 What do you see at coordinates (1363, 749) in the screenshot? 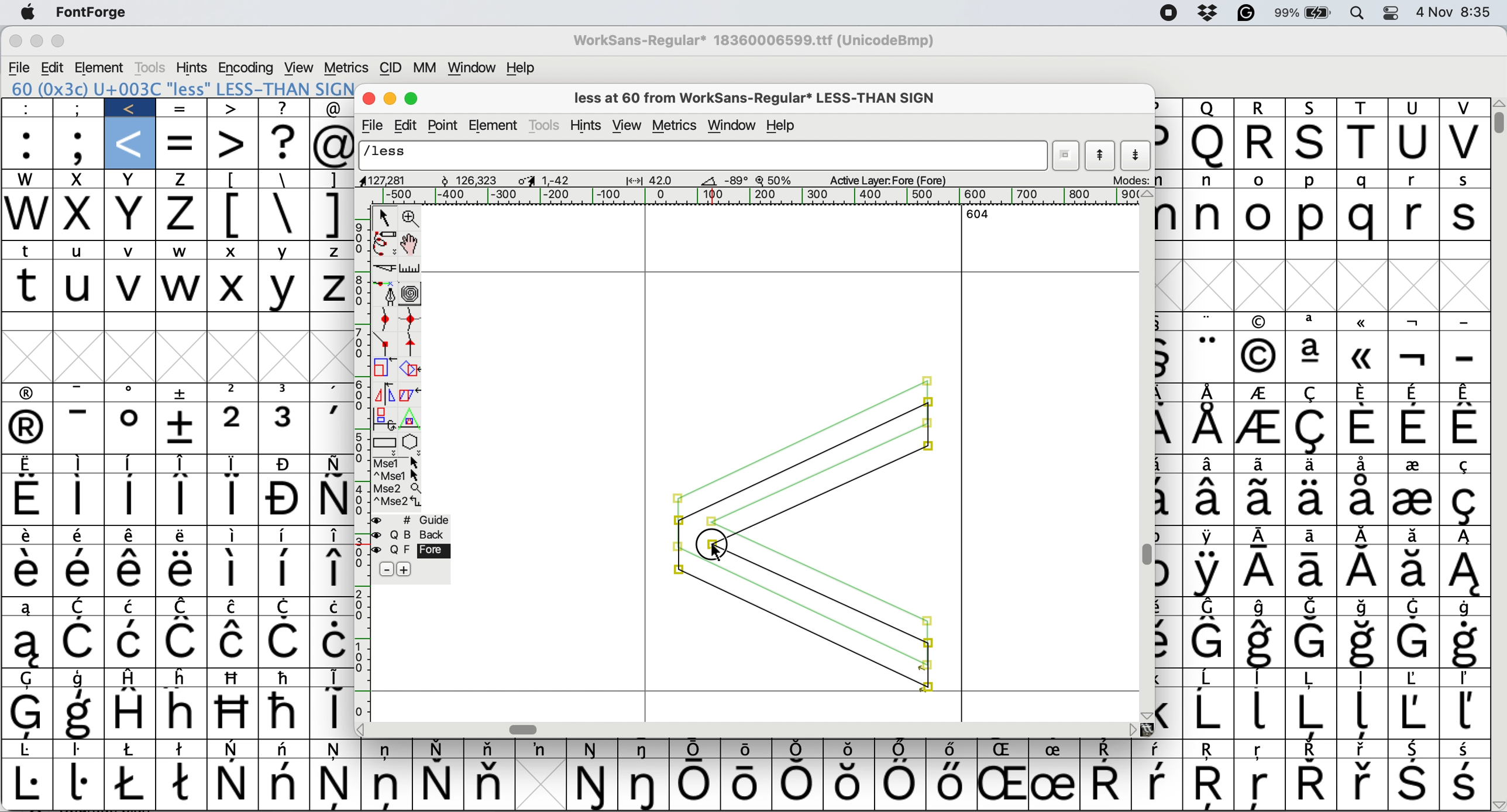
I see `Symbol` at bounding box center [1363, 749].